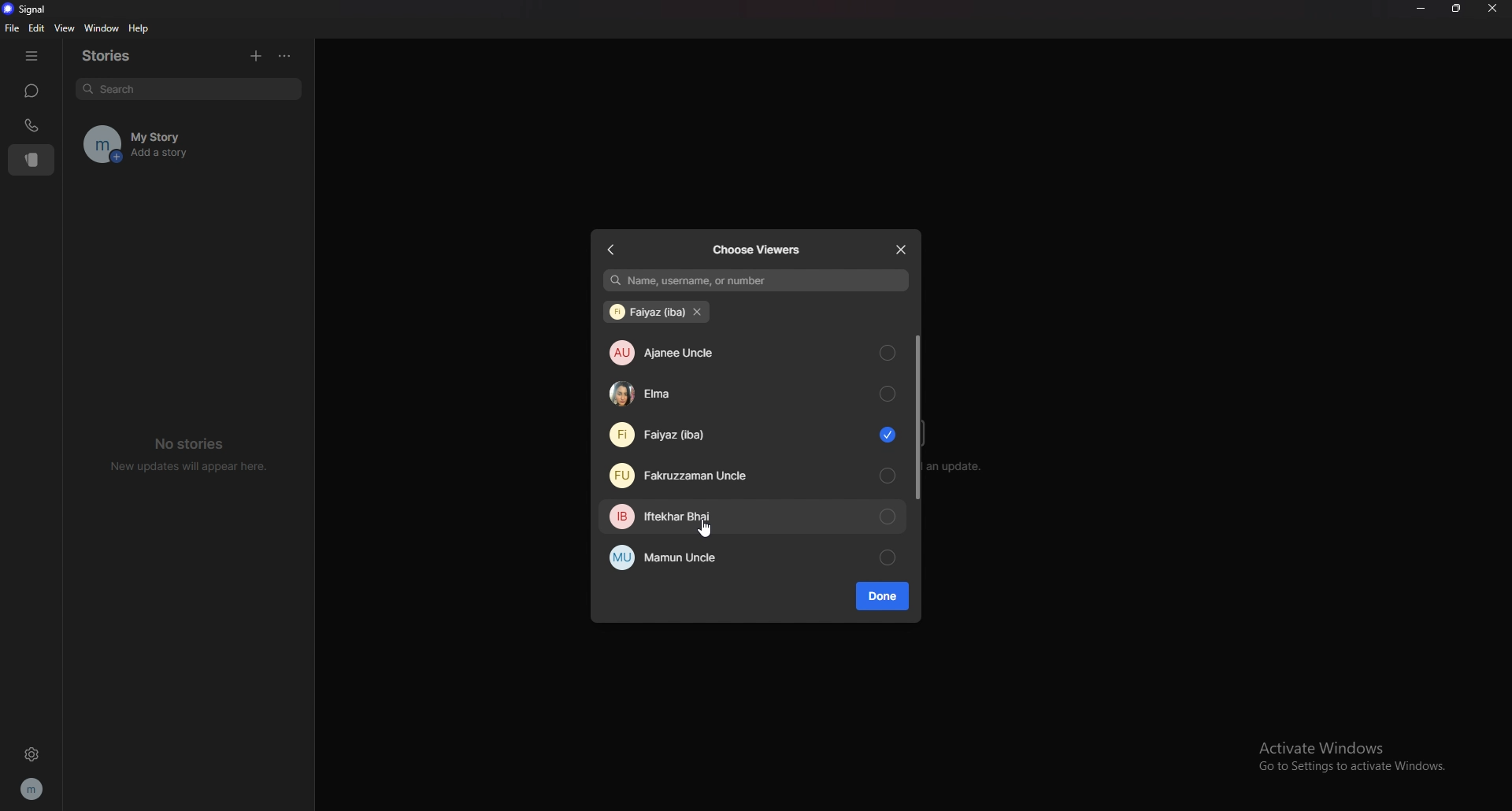  What do you see at coordinates (31, 755) in the screenshot?
I see `settings` at bounding box center [31, 755].